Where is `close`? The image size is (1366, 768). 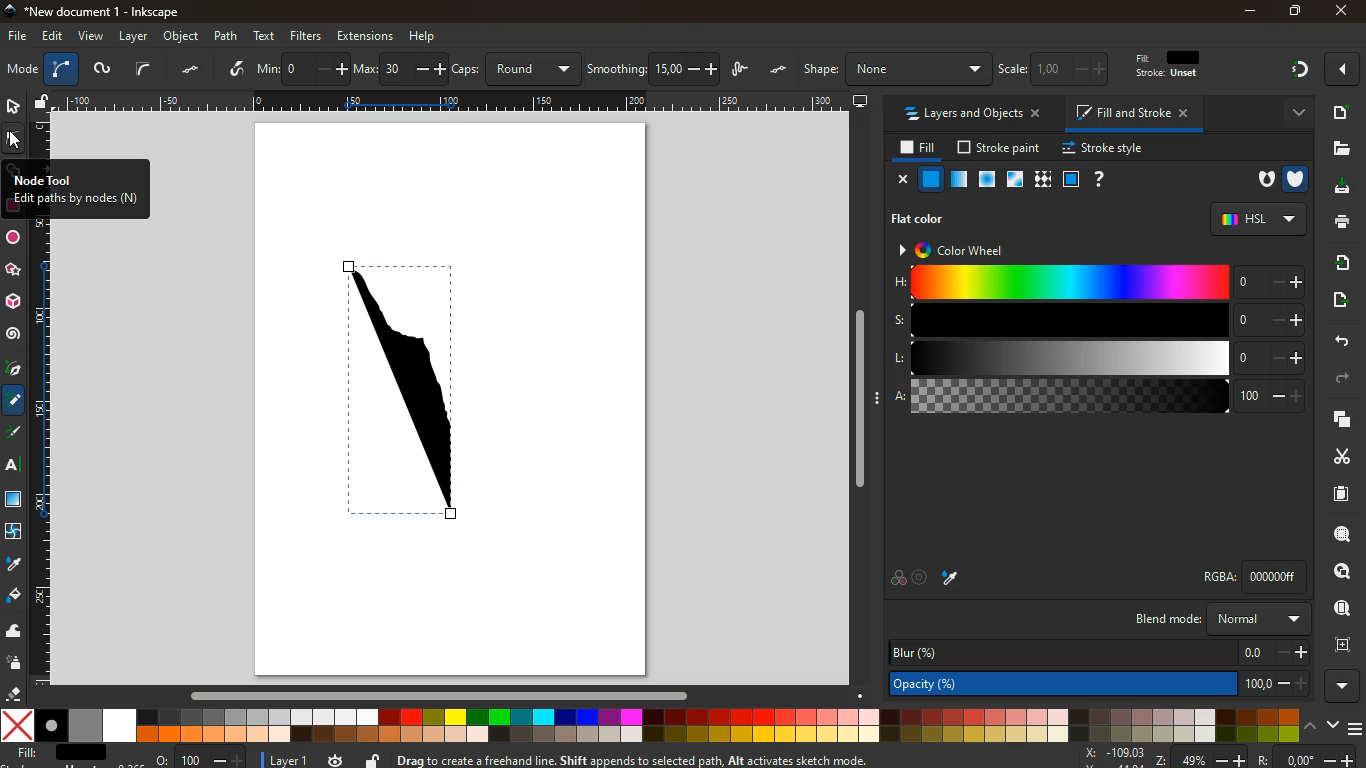 close is located at coordinates (900, 179).